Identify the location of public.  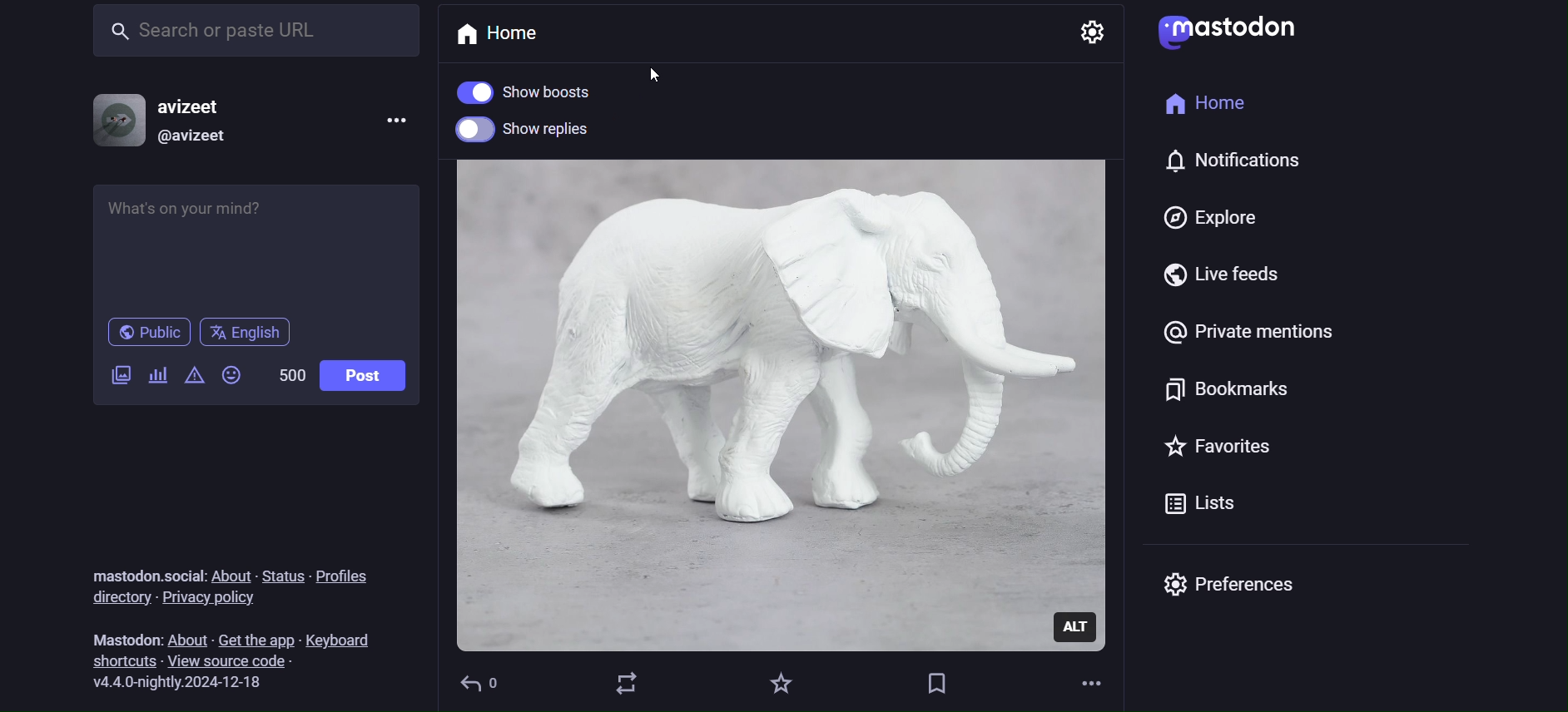
(146, 334).